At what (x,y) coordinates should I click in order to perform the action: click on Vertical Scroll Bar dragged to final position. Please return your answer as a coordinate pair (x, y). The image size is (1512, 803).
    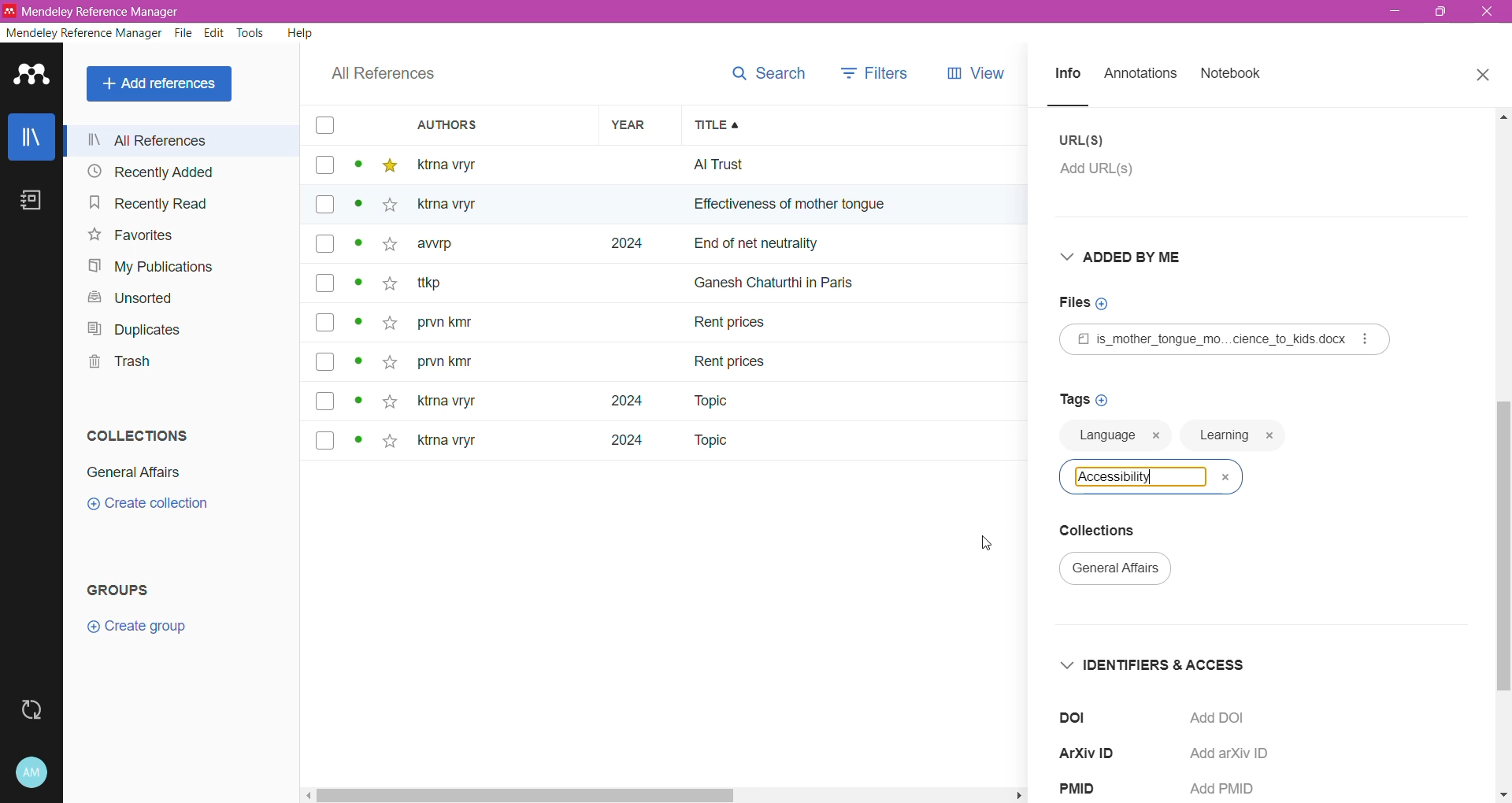
    Looking at the image, I should click on (1503, 455).